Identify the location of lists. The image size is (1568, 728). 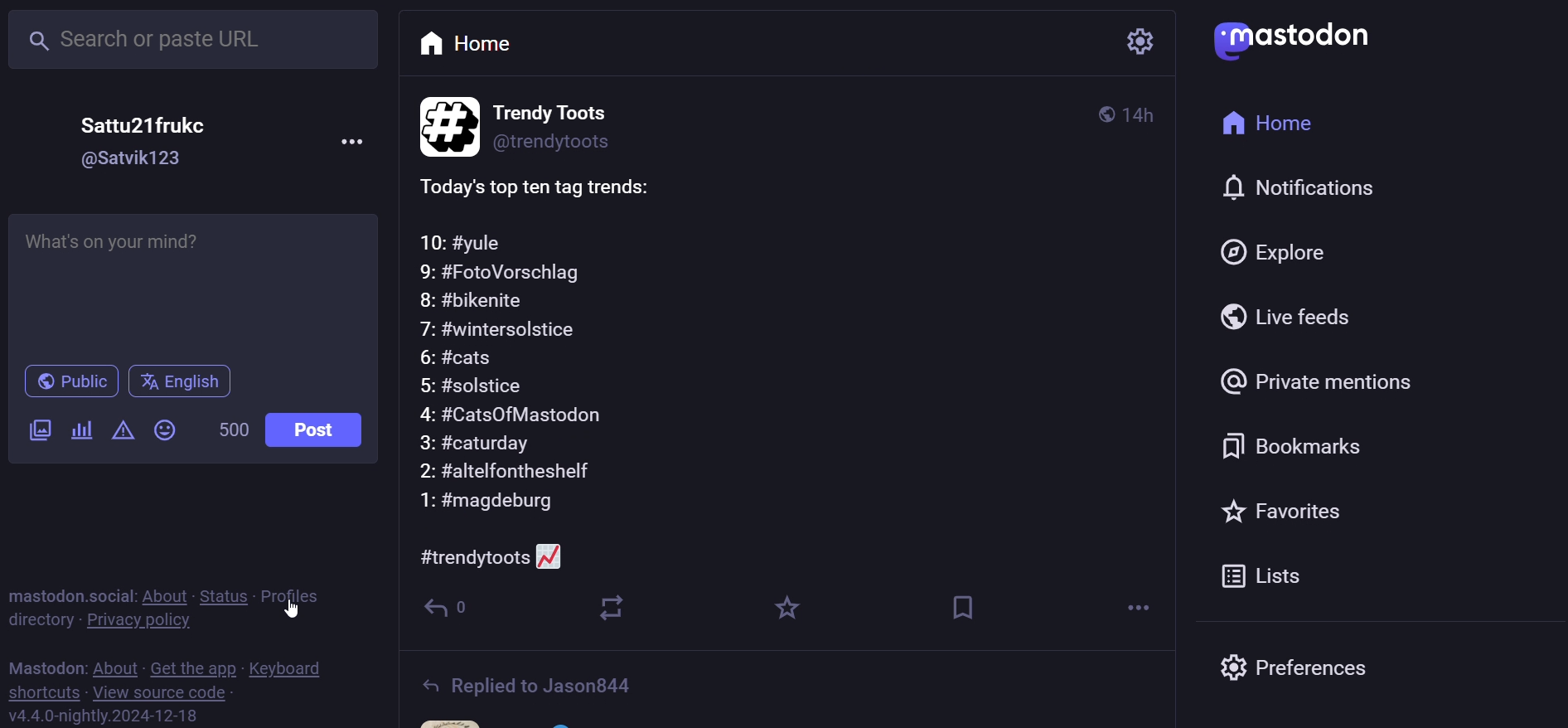
(1270, 580).